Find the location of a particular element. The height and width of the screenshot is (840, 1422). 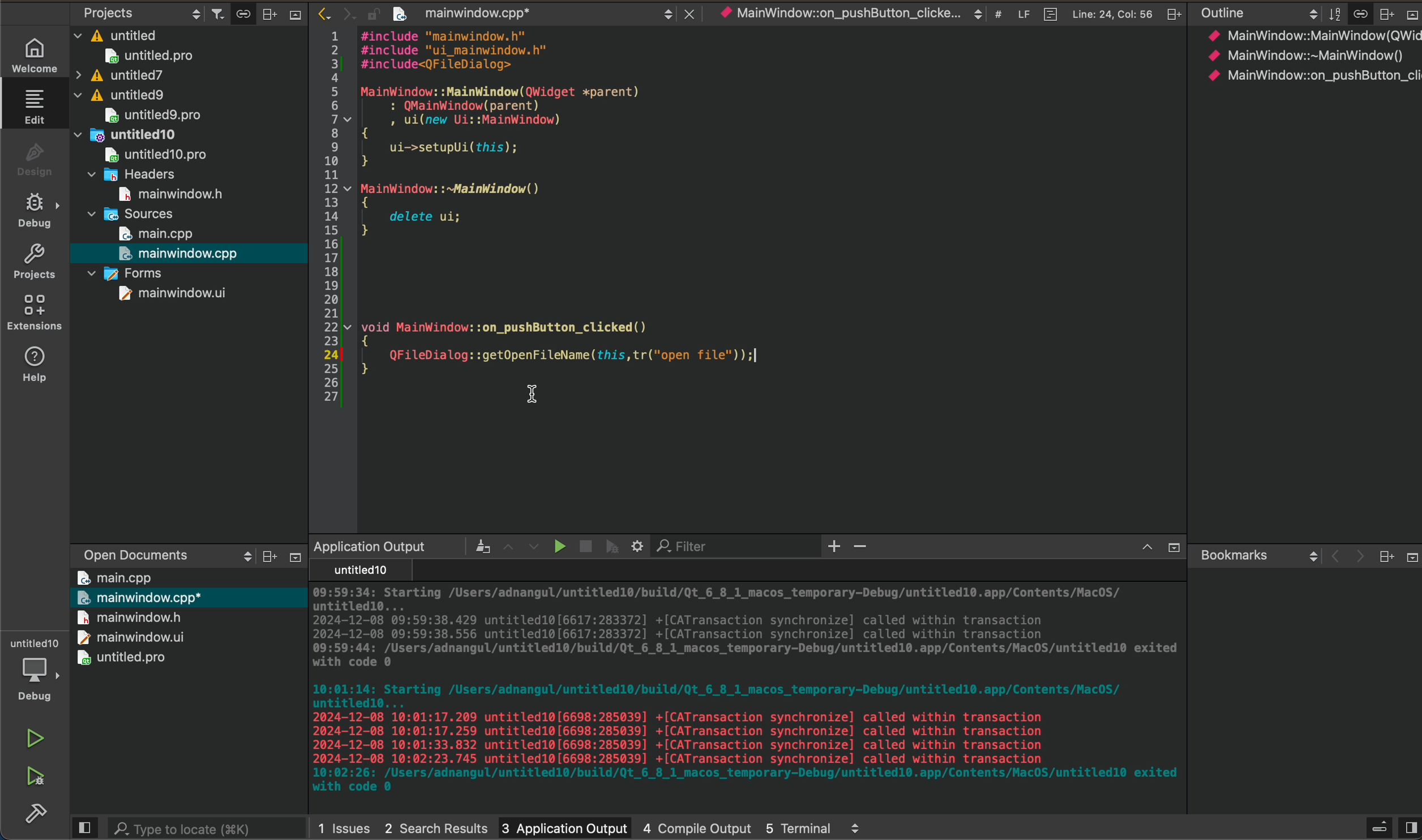

untitled7 is located at coordinates (119, 75).